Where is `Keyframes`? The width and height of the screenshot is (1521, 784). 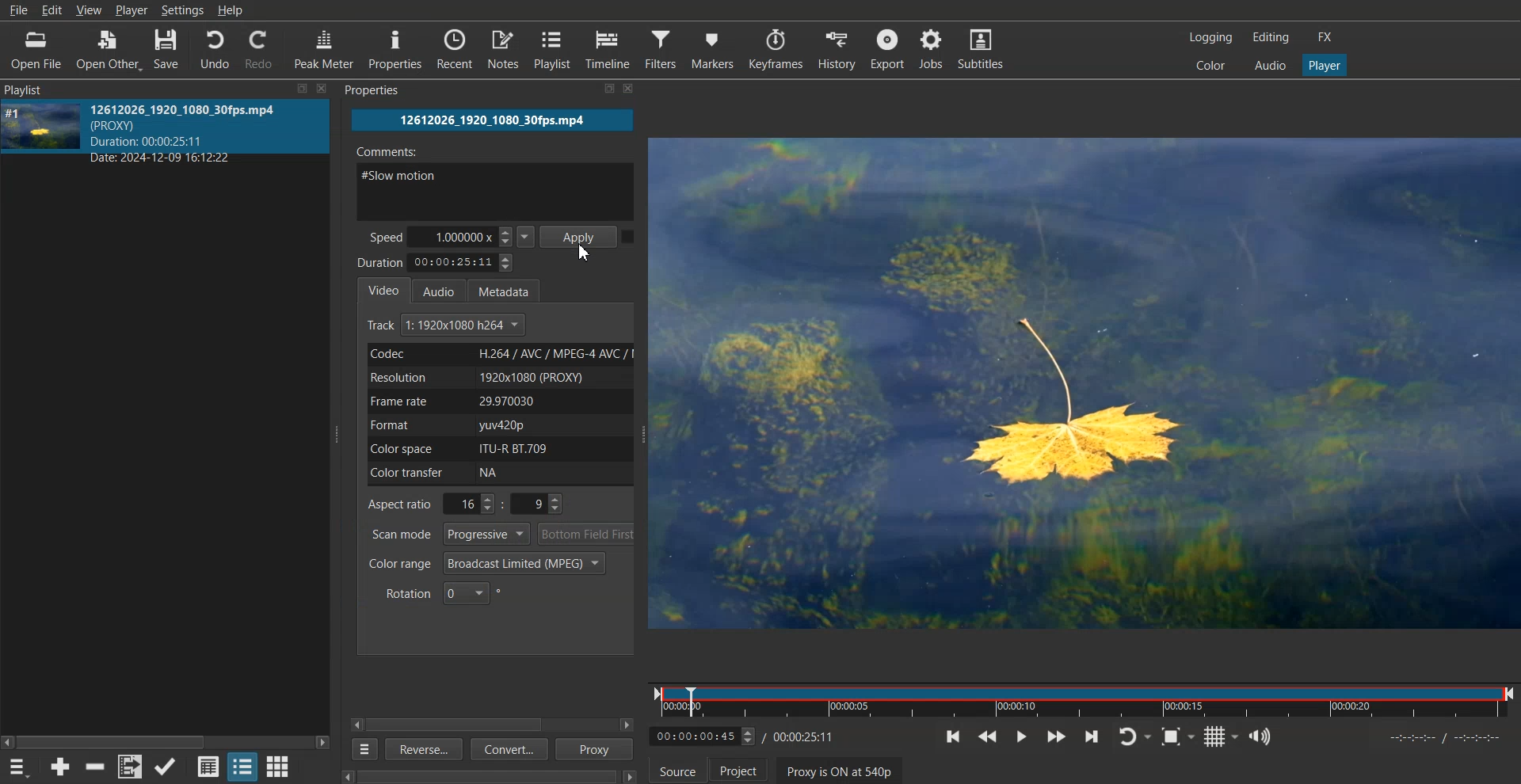
Keyframes is located at coordinates (776, 48).